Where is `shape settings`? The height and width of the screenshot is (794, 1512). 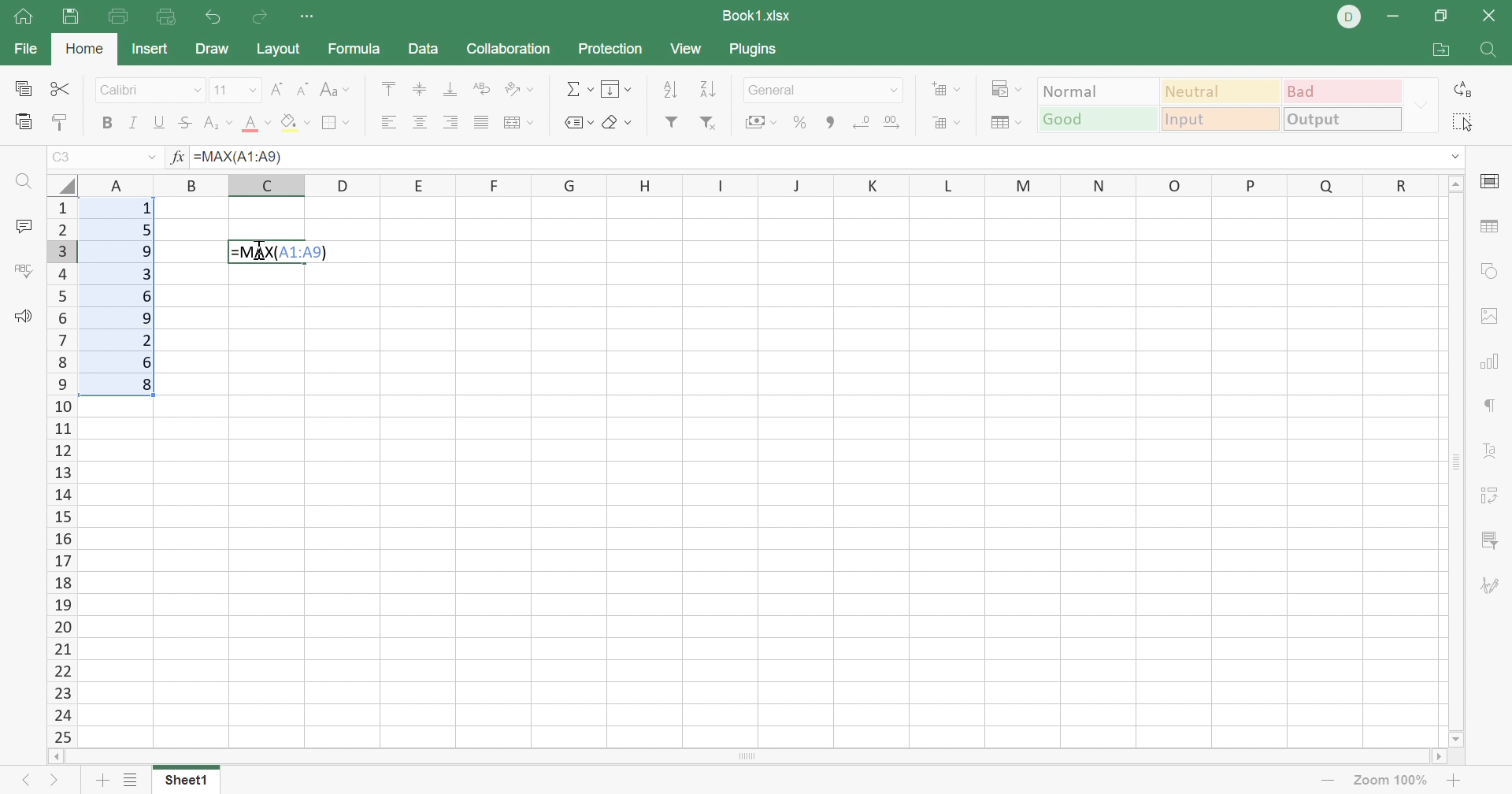
shape settings is located at coordinates (1495, 269).